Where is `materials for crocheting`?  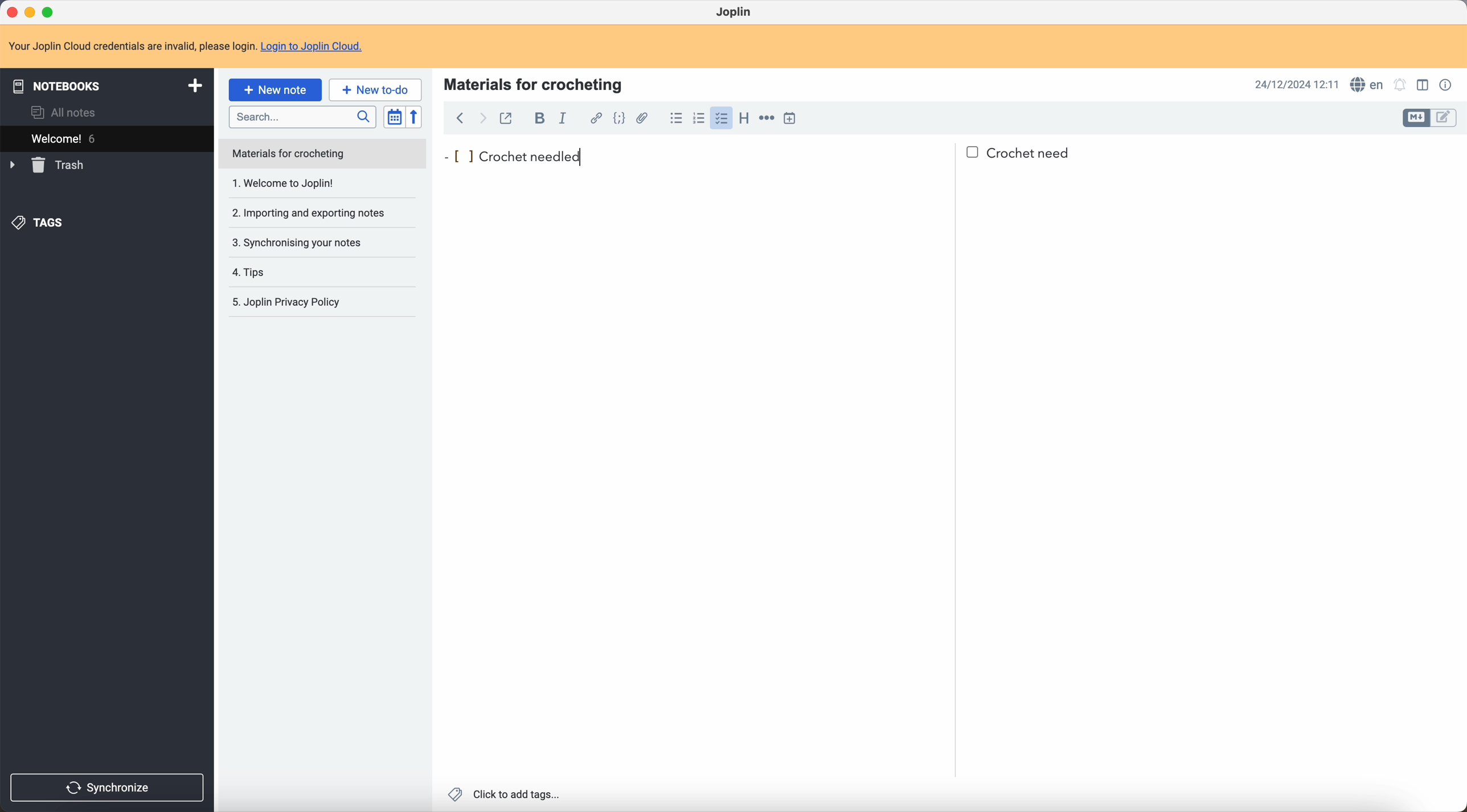
materials for crocheting is located at coordinates (535, 83).